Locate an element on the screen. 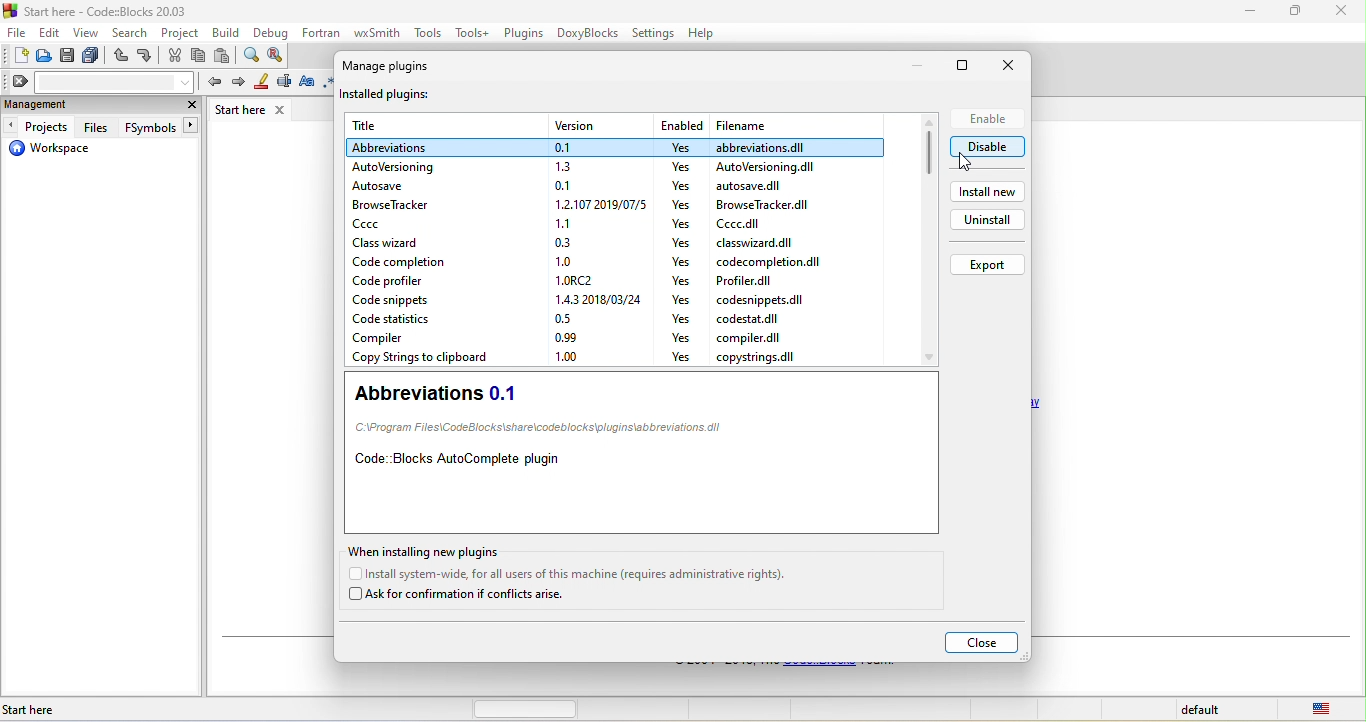 This screenshot has width=1366, height=722. file is located at coordinates (753, 186).